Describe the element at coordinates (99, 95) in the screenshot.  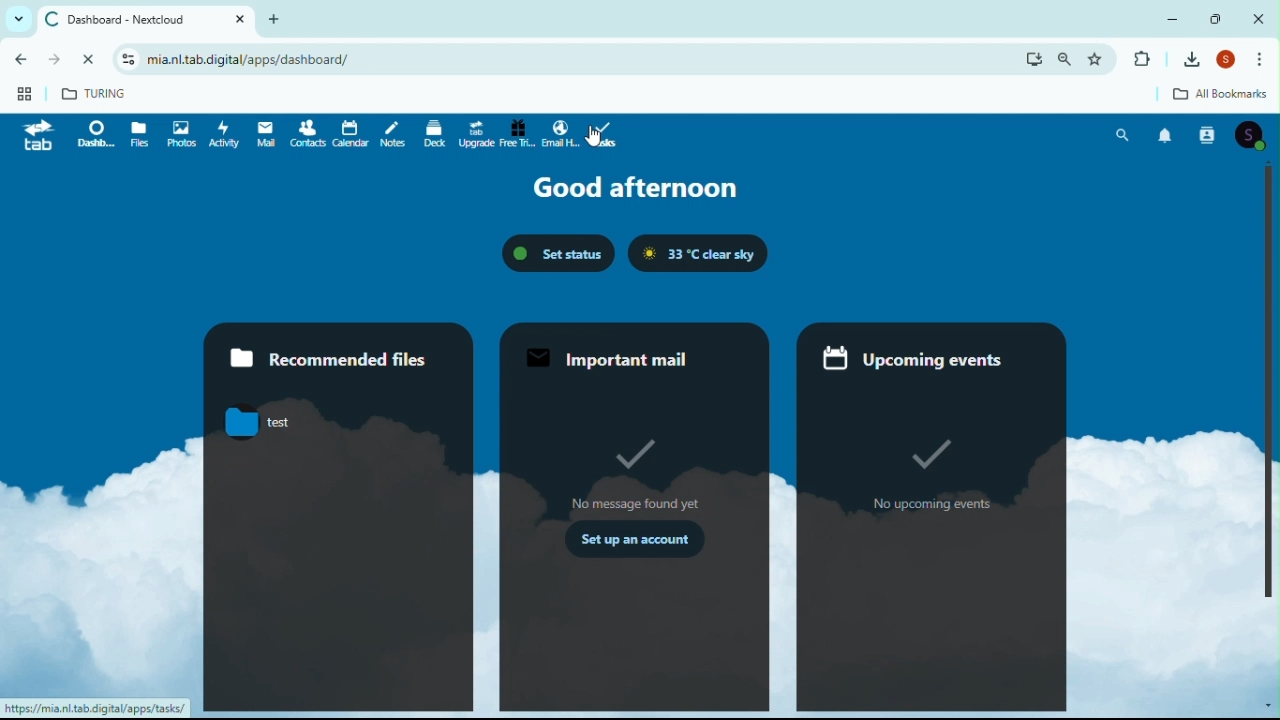
I see `turing` at that location.